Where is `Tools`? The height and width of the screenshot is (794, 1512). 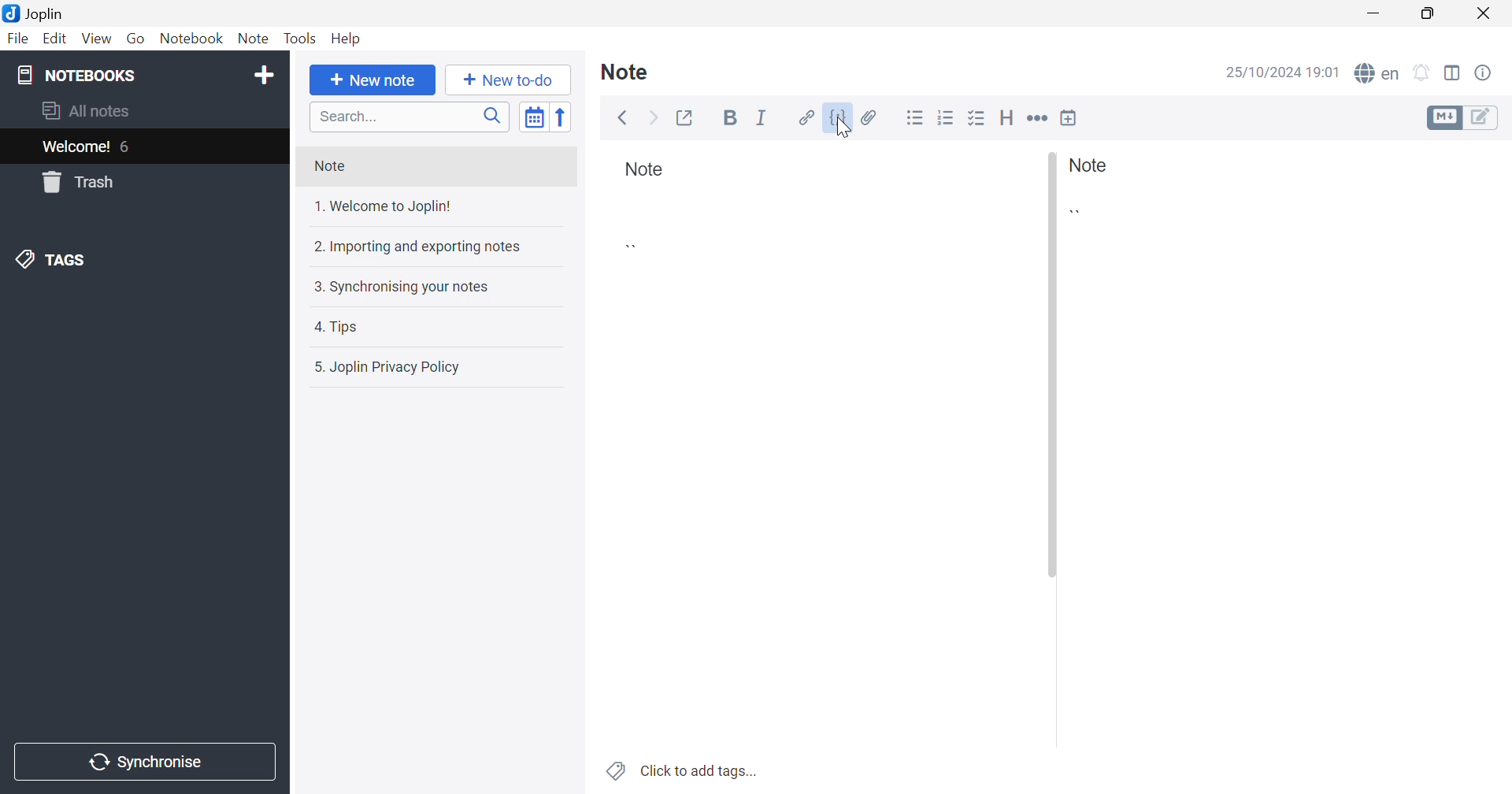
Tools is located at coordinates (300, 38).